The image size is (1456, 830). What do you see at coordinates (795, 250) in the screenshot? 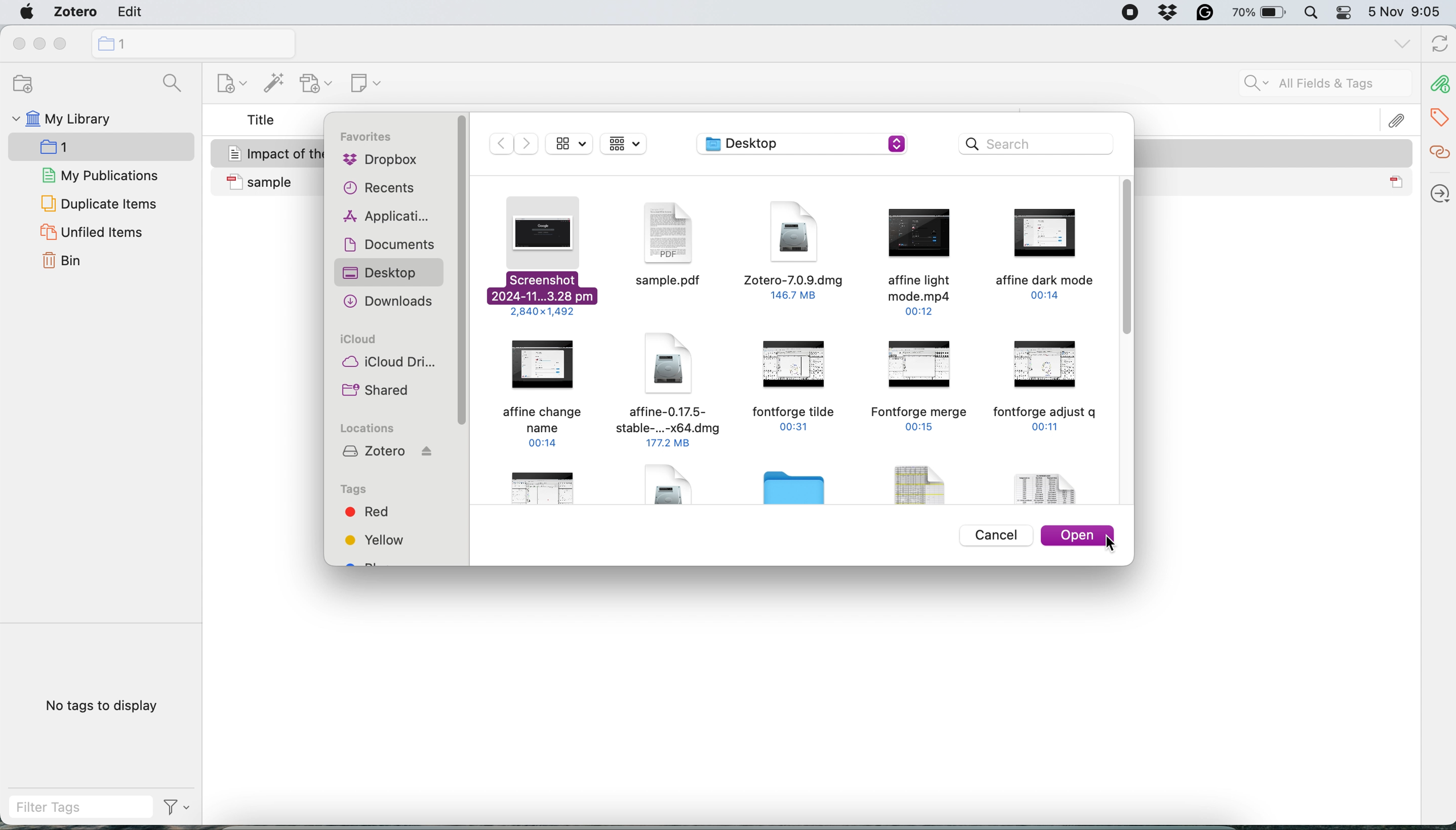
I see `Zotero-7.0.9.dmg` at bounding box center [795, 250].